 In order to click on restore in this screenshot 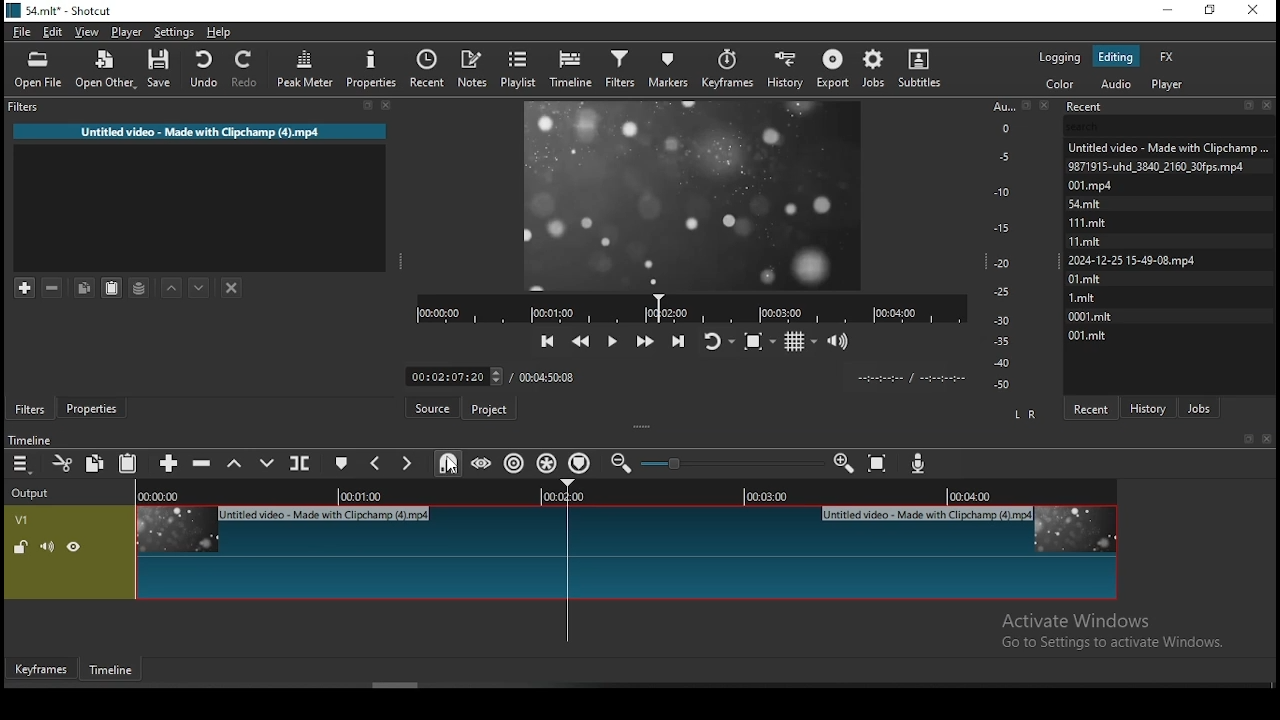, I will do `click(1210, 10)`.